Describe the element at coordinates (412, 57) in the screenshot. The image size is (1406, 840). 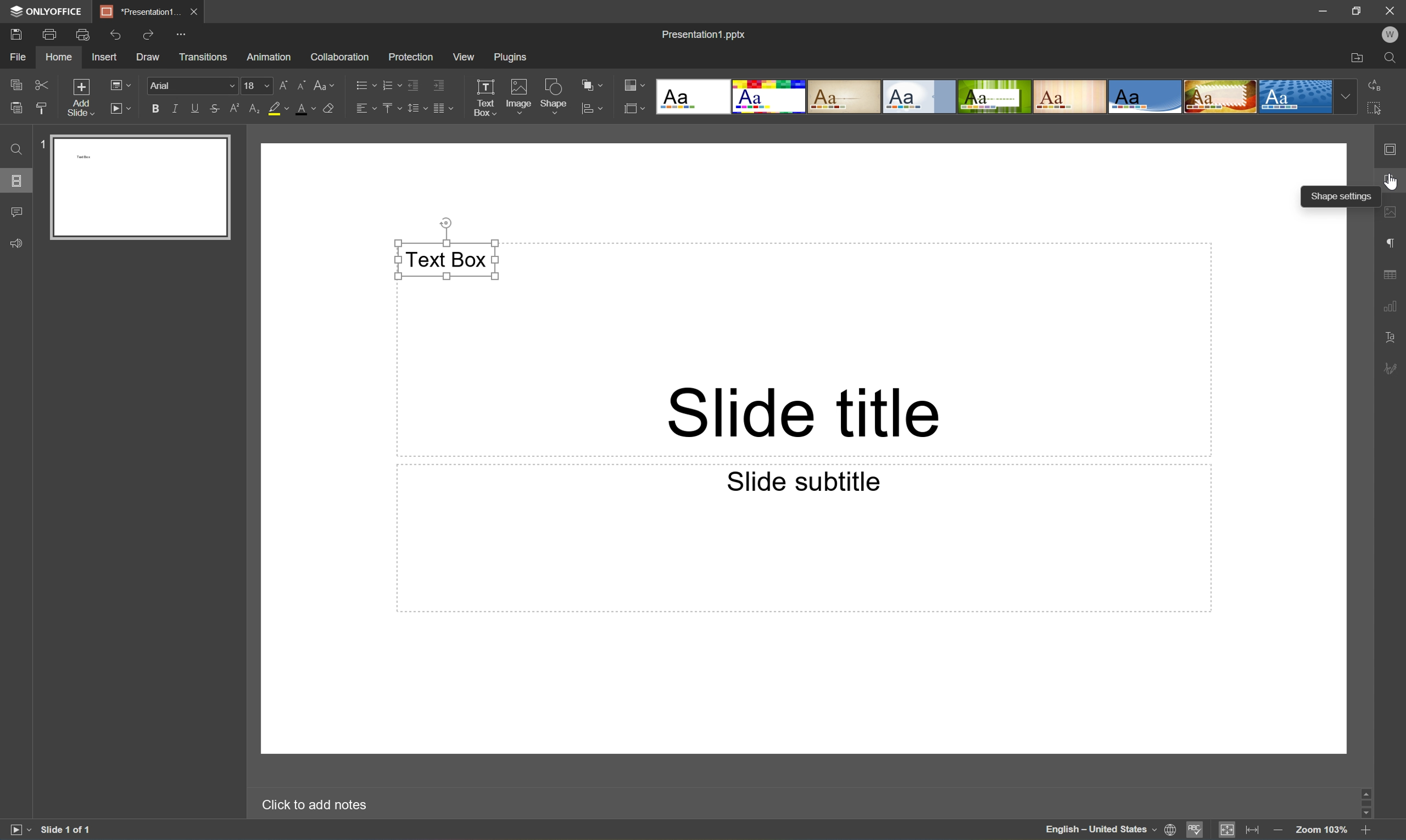
I see `Protection` at that location.